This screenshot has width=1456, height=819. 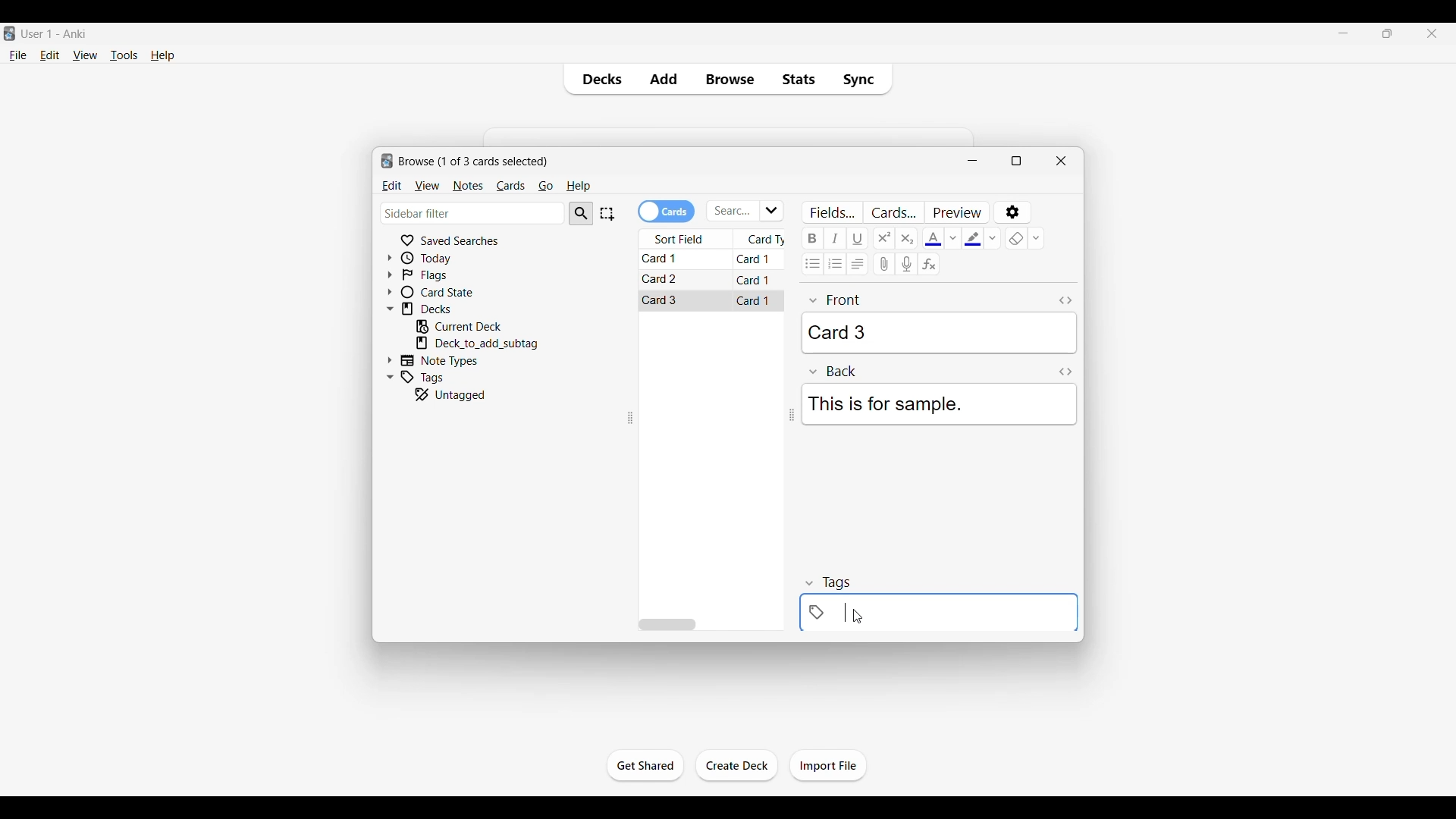 I want to click on Horizontal slide bar, so click(x=667, y=625).